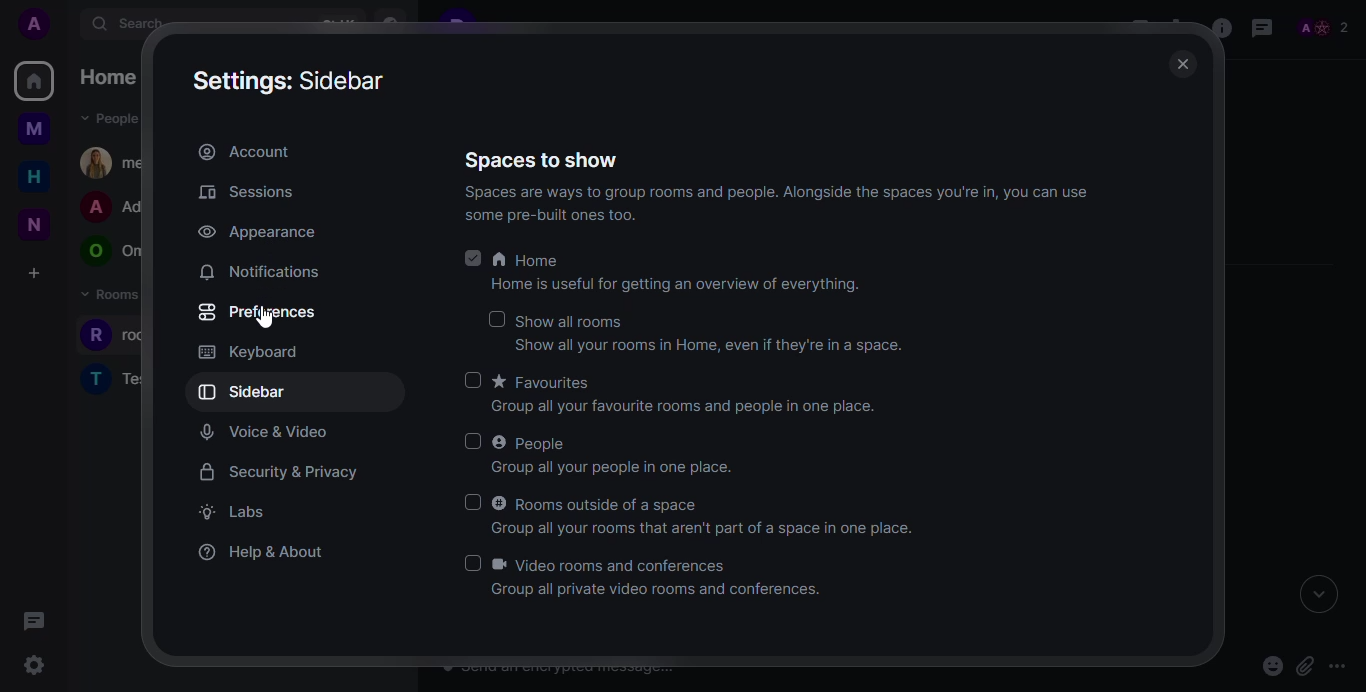 The width and height of the screenshot is (1366, 692). What do you see at coordinates (35, 666) in the screenshot?
I see `cursor` at bounding box center [35, 666].